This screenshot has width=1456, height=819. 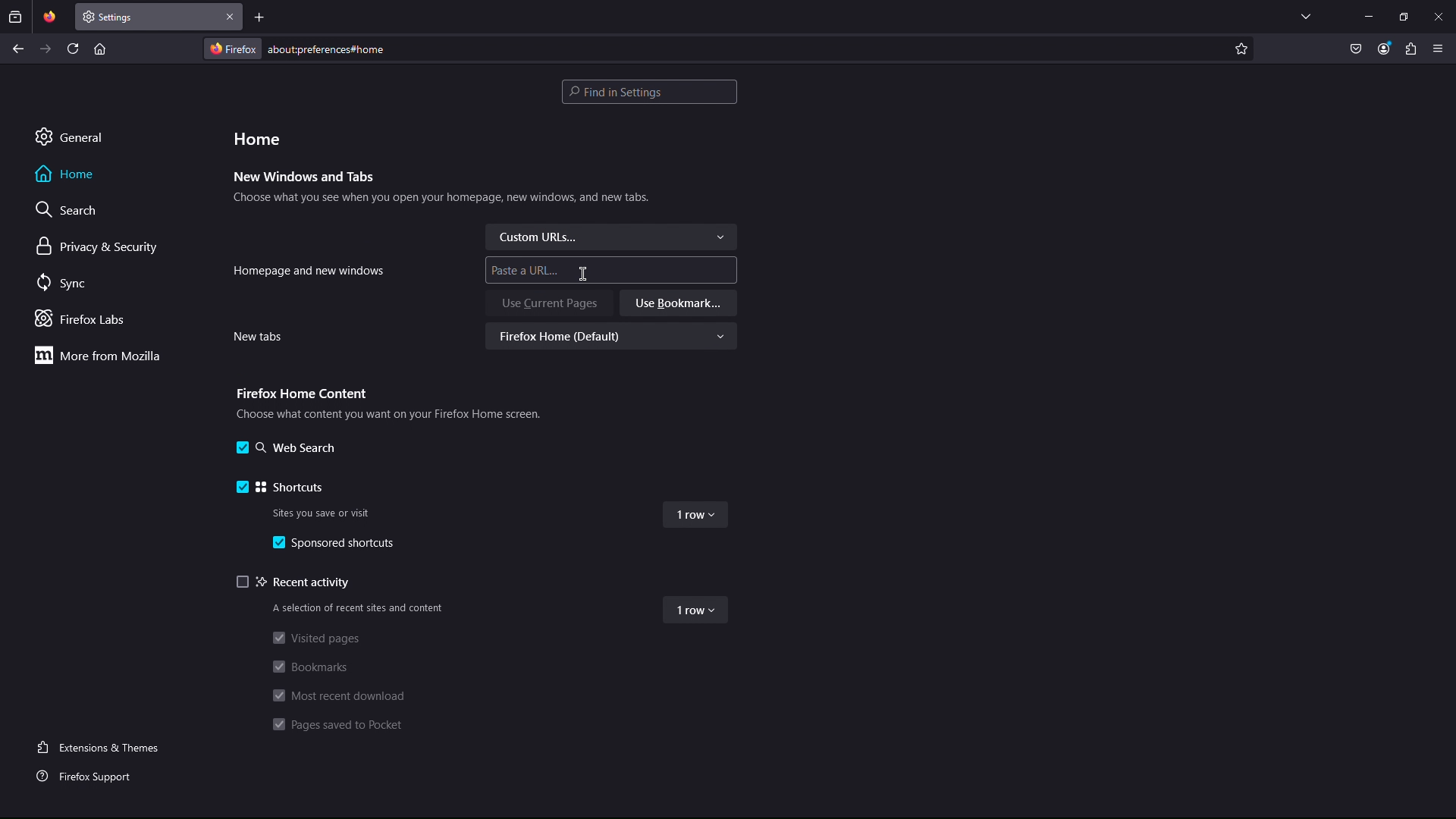 I want to click on Account, so click(x=1384, y=50).